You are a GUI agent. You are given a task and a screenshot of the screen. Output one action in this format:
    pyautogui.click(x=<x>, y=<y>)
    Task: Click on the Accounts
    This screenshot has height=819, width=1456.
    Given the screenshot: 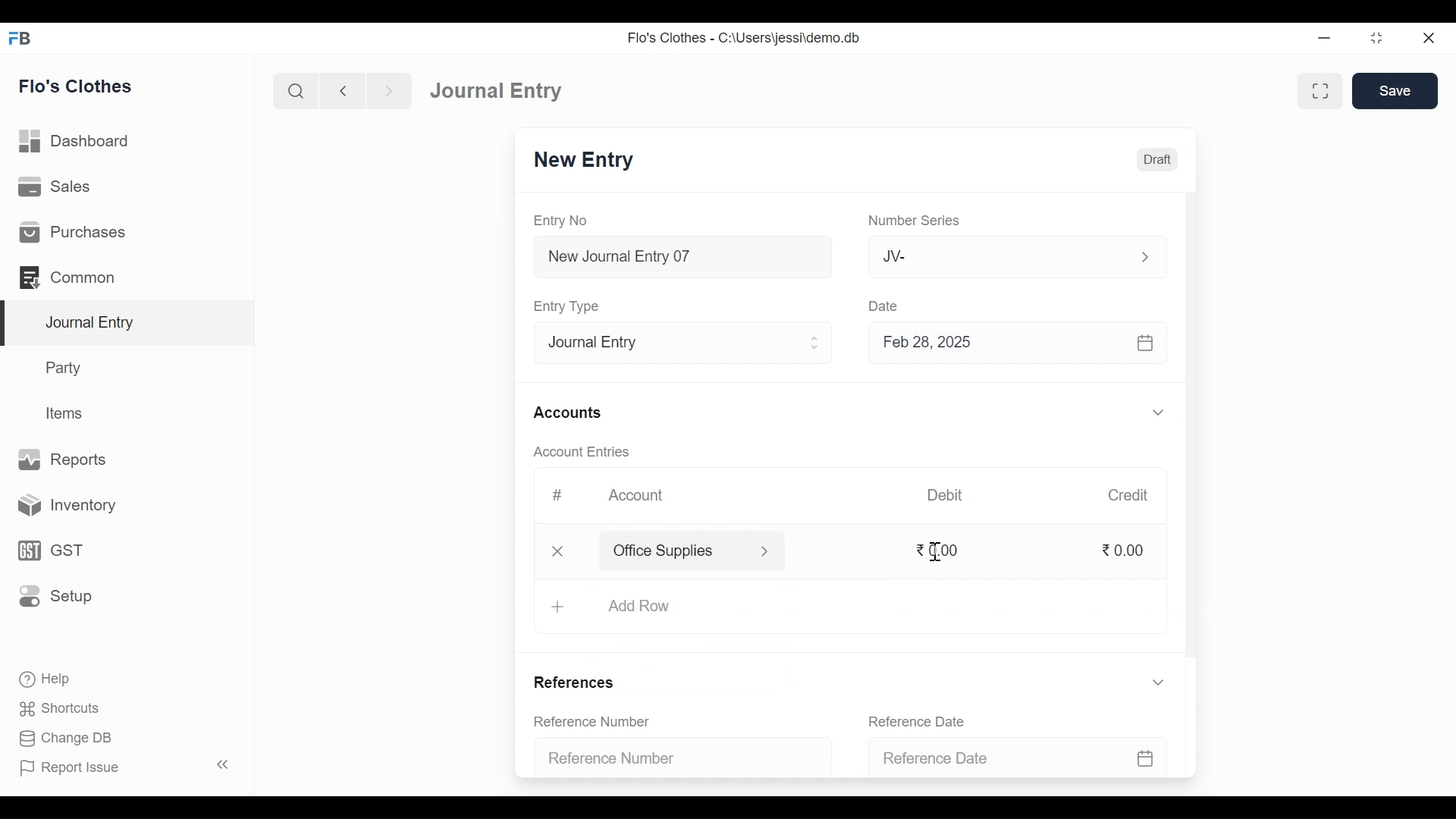 What is the action you would take?
    pyautogui.click(x=567, y=413)
    